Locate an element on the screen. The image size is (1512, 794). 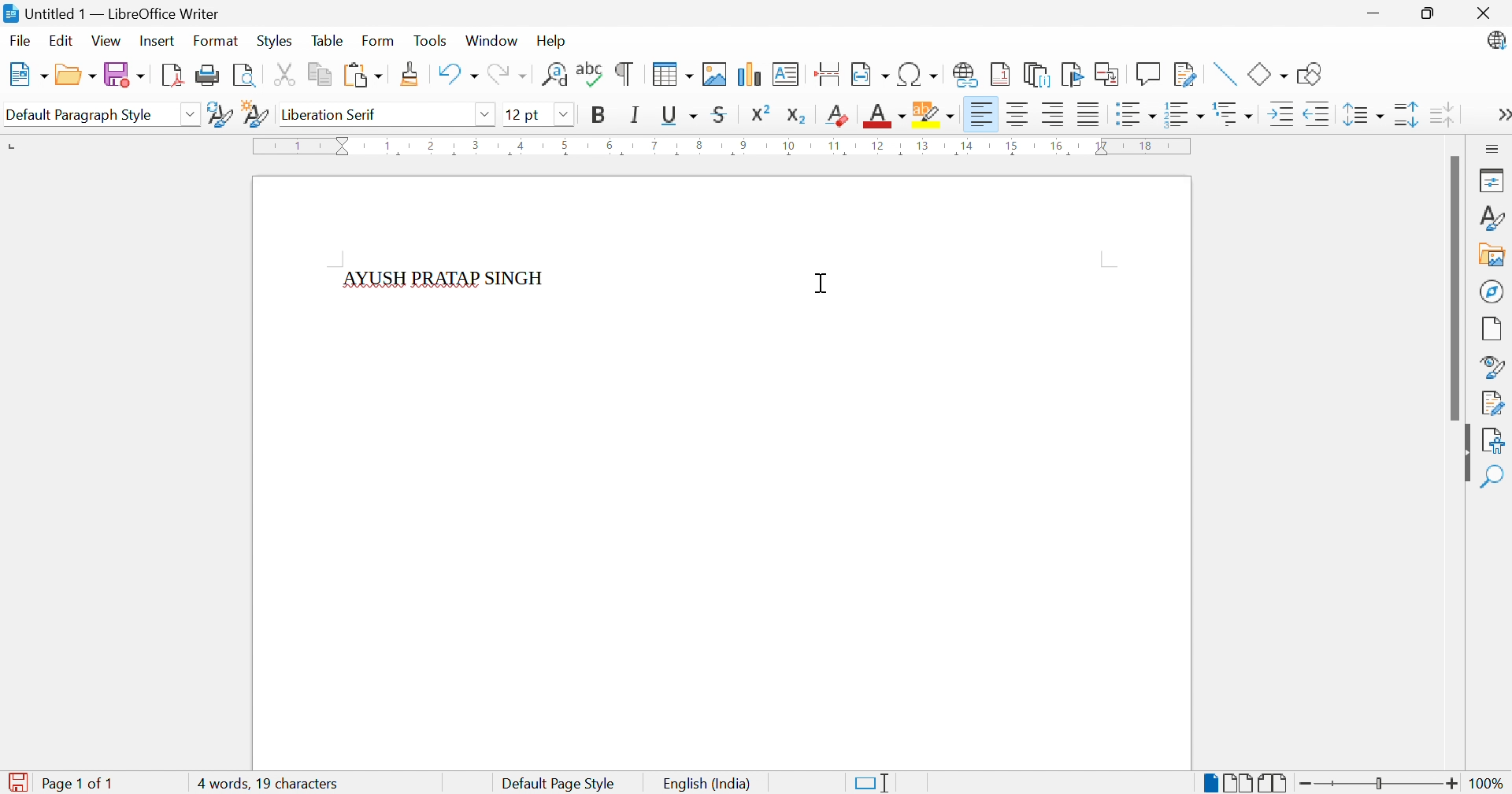
Font Color is located at coordinates (882, 116).